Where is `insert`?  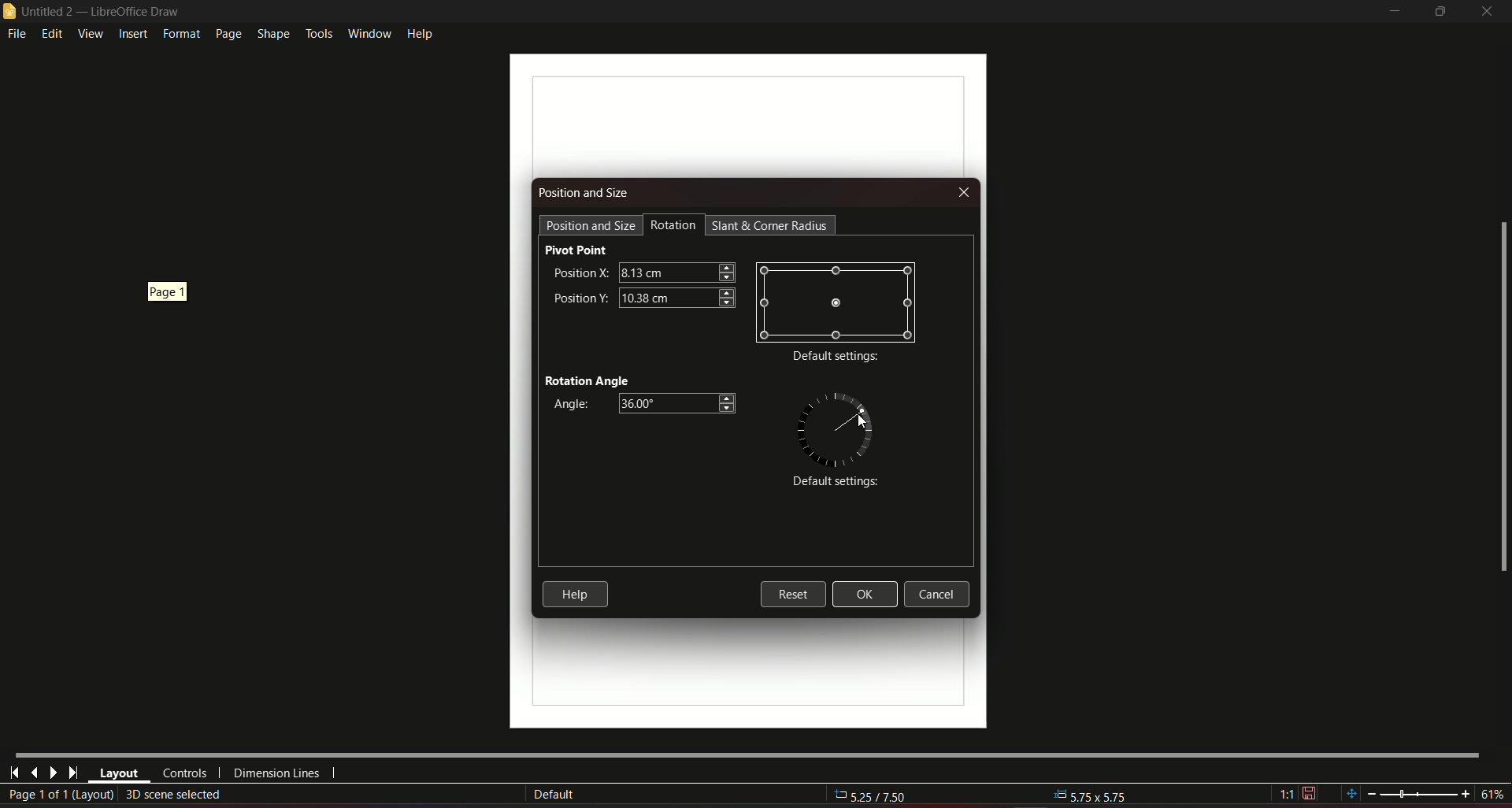
insert is located at coordinates (132, 35).